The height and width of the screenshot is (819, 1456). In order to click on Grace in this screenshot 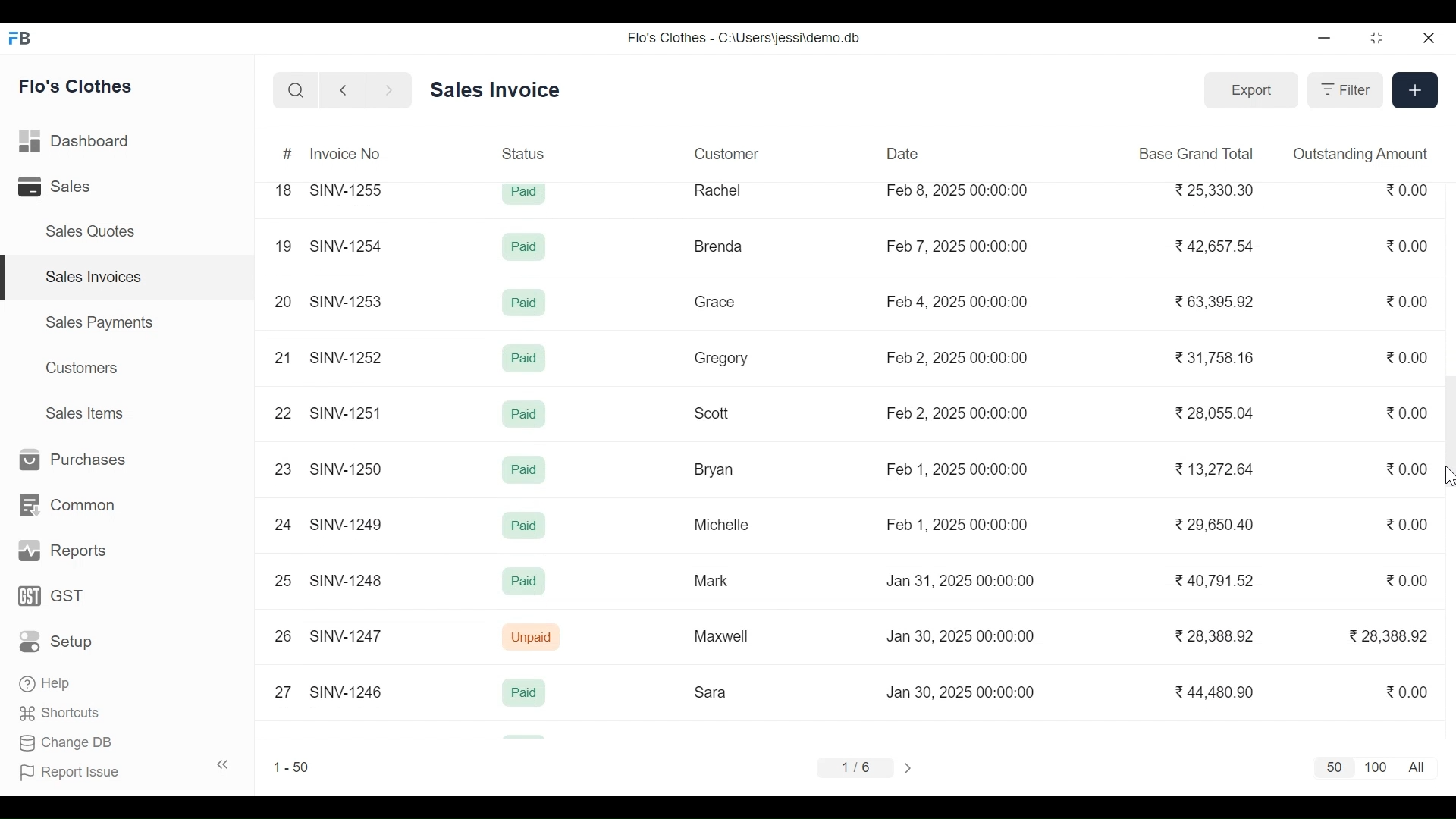, I will do `click(715, 303)`.